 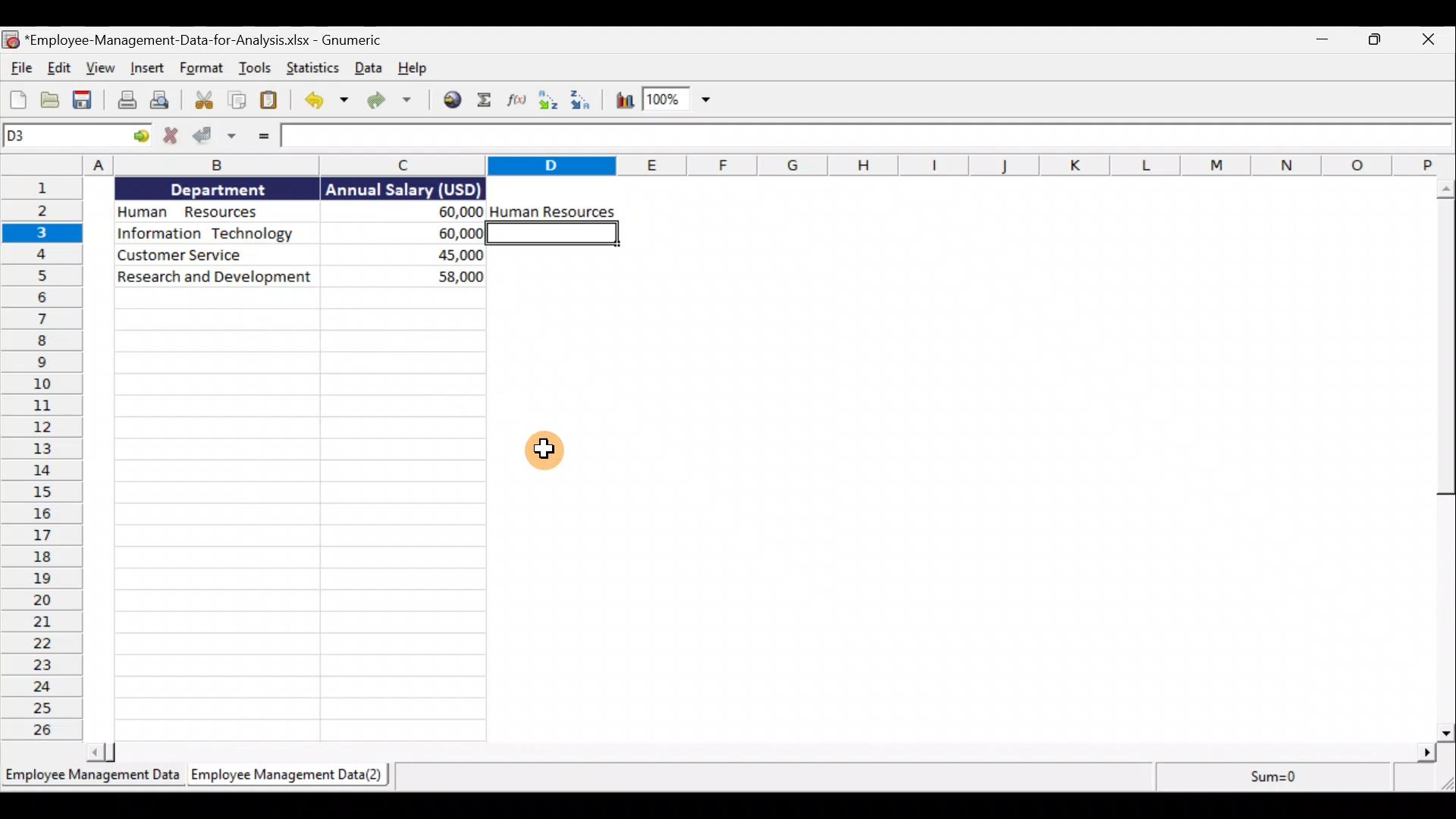 I want to click on Cancel change, so click(x=175, y=137).